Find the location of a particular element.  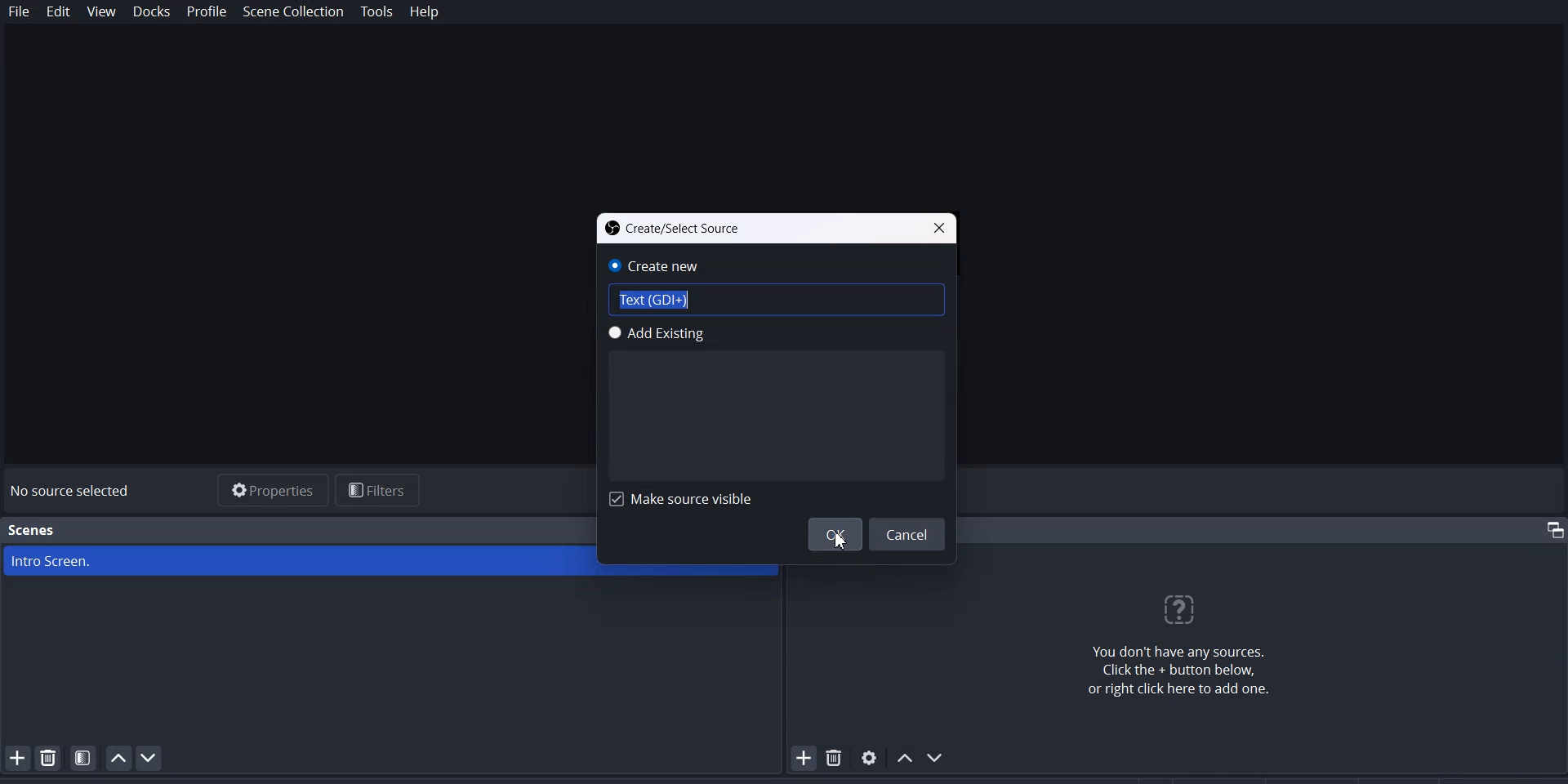

Docks is located at coordinates (151, 12).